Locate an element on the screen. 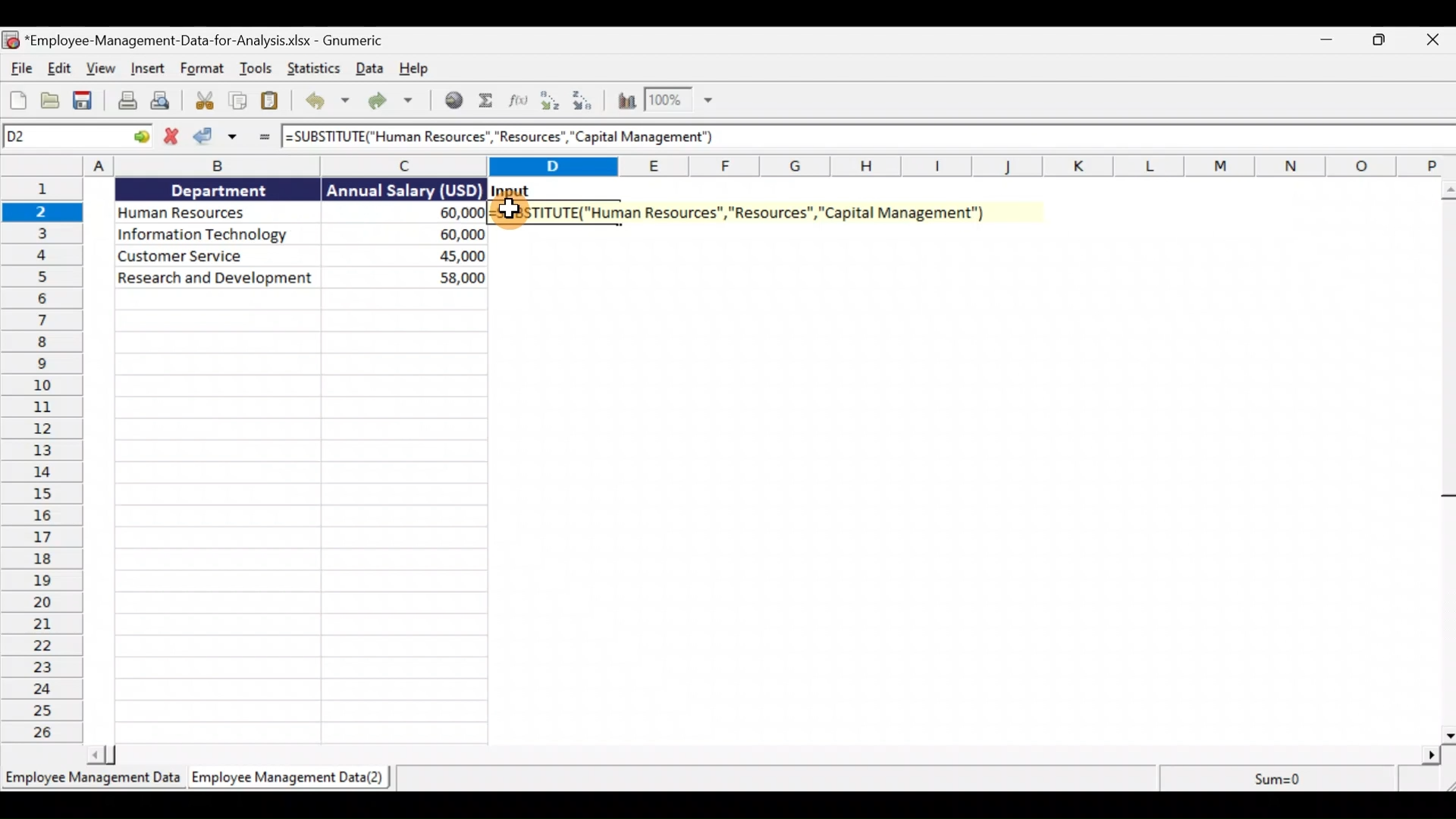 The height and width of the screenshot is (819, 1456). Sort Descending is located at coordinates (585, 101).